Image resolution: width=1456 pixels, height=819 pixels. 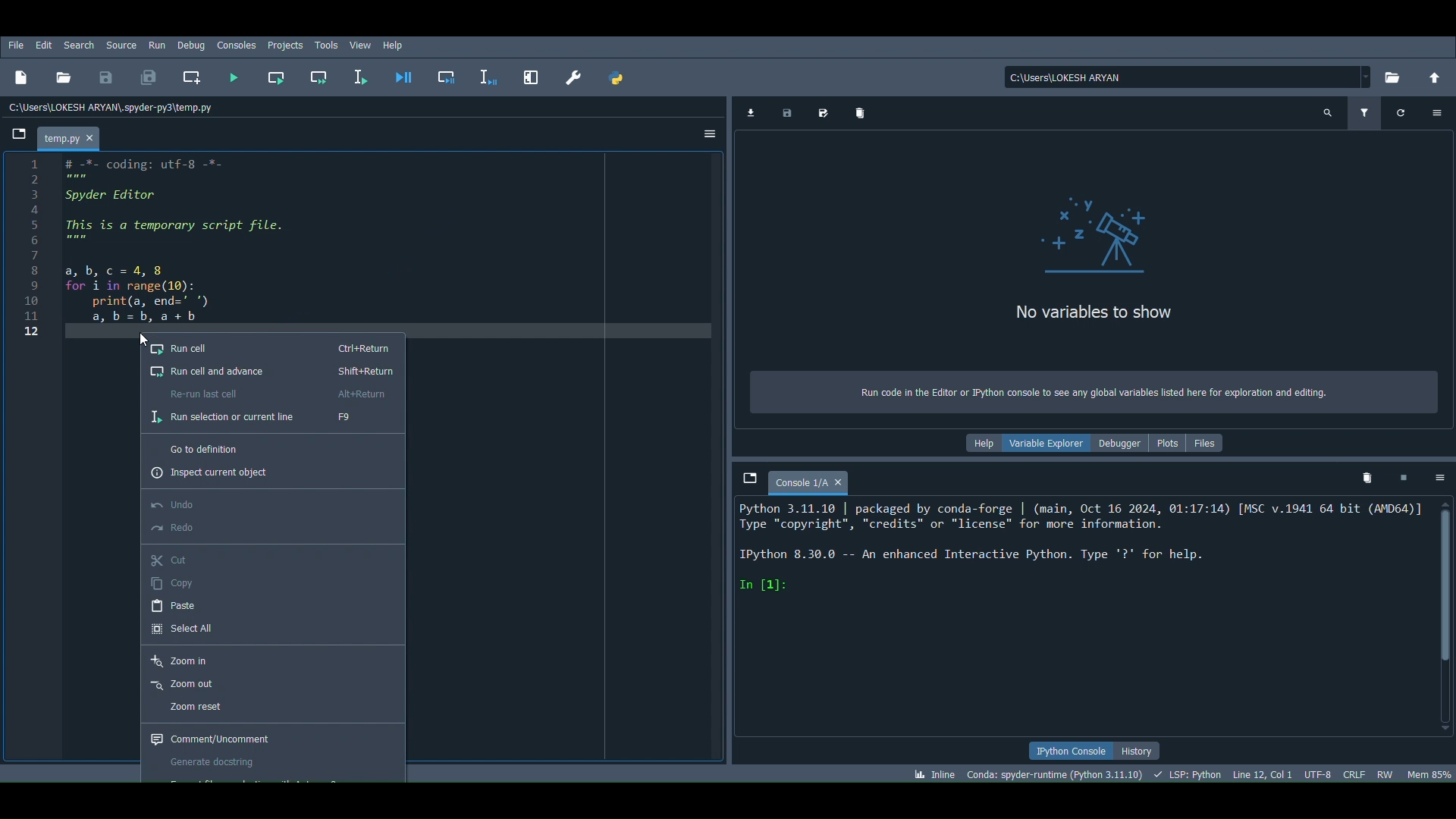 What do you see at coordinates (190, 45) in the screenshot?
I see `Debug` at bounding box center [190, 45].